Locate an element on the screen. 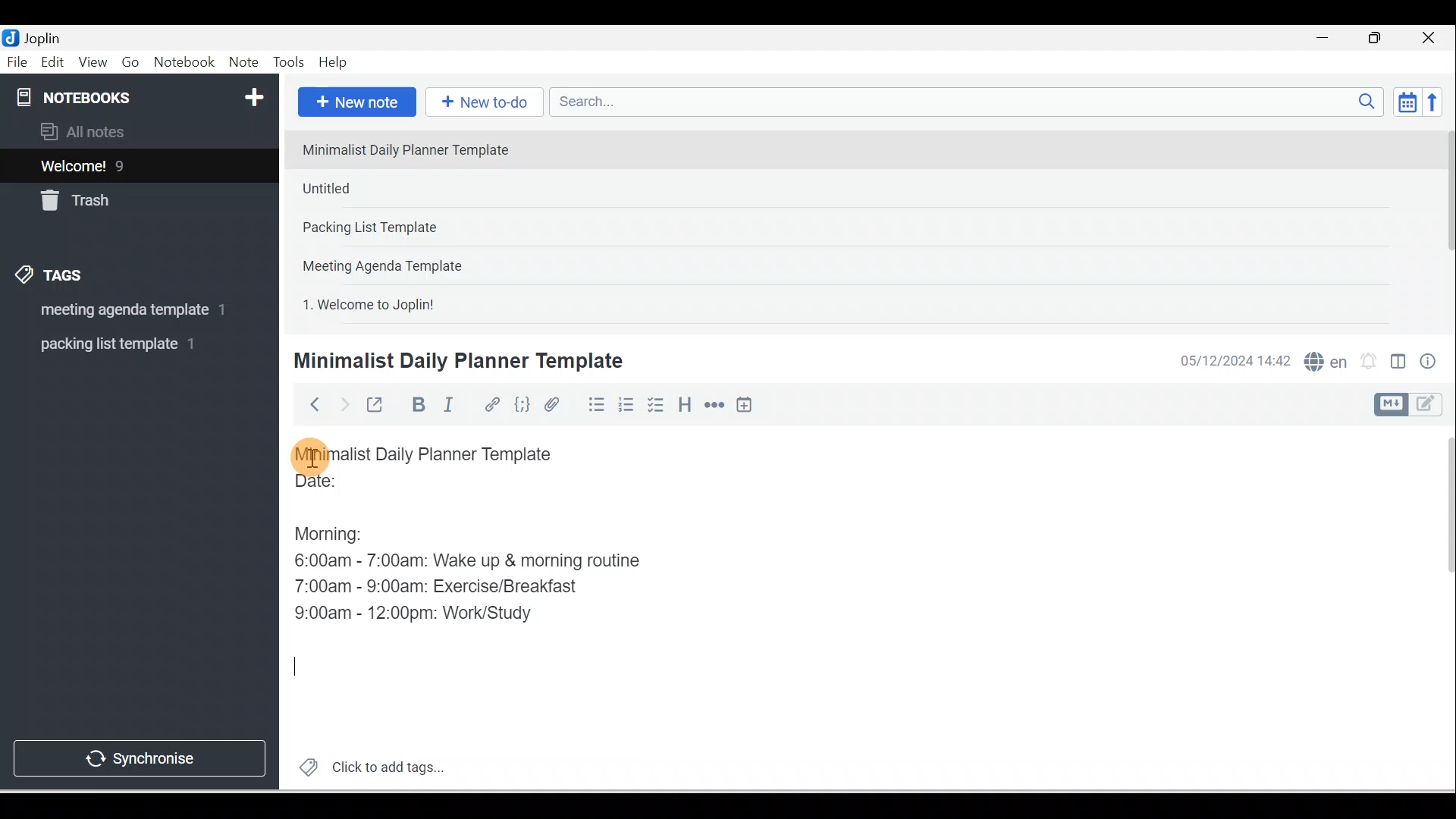 The width and height of the screenshot is (1456, 819). Italic is located at coordinates (451, 407).